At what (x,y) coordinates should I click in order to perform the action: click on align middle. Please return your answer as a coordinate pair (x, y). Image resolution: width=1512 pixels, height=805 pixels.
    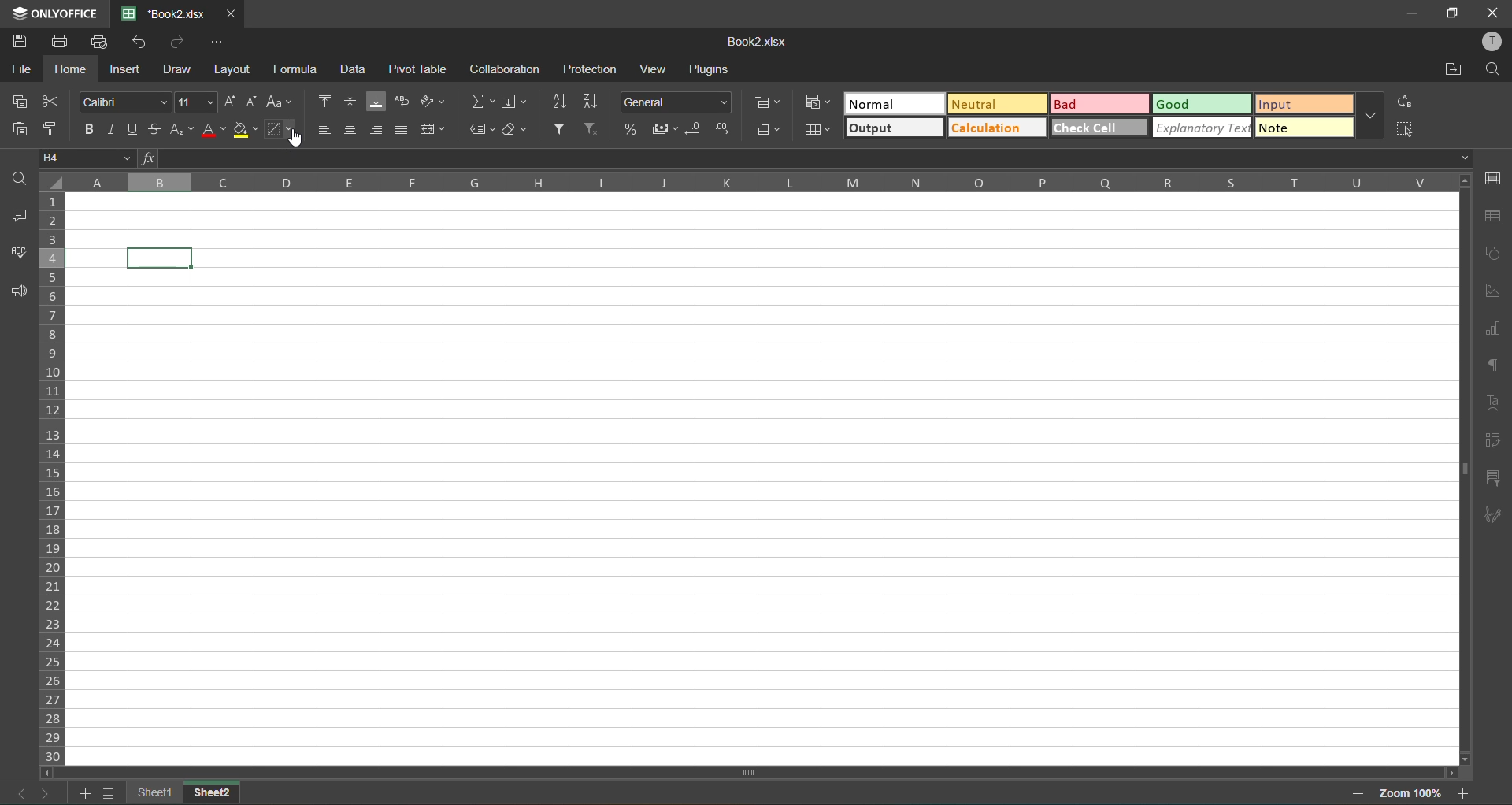
    Looking at the image, I should click on (354, 102).